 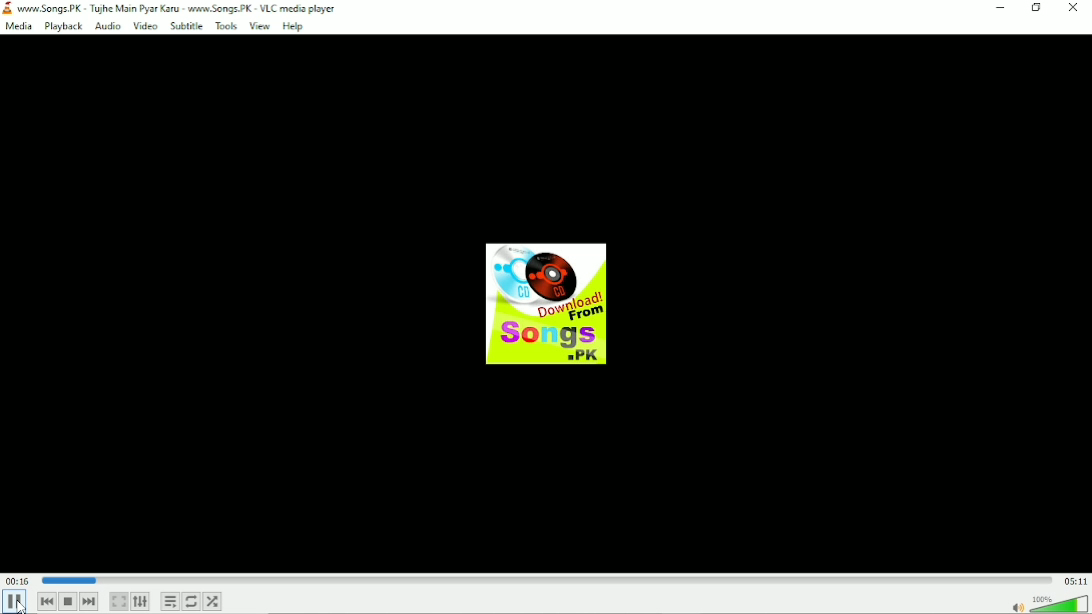 What do you see at coordinates (1072, 580) in the screenshot?
I see `05:11` at bounding box center [1072, 580].